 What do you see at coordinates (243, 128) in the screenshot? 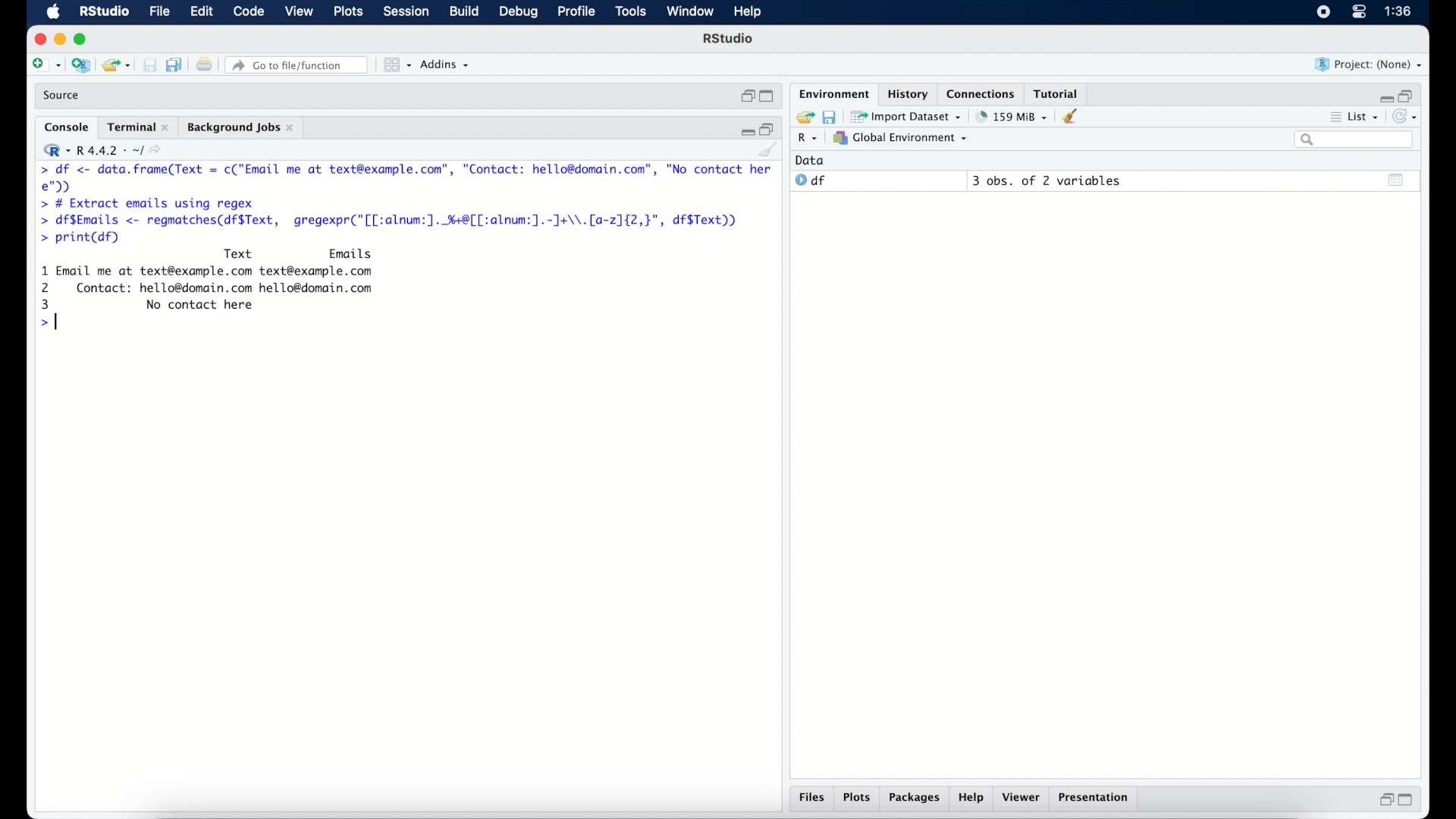
I see `background jobs` at bounding box center [243, 128].